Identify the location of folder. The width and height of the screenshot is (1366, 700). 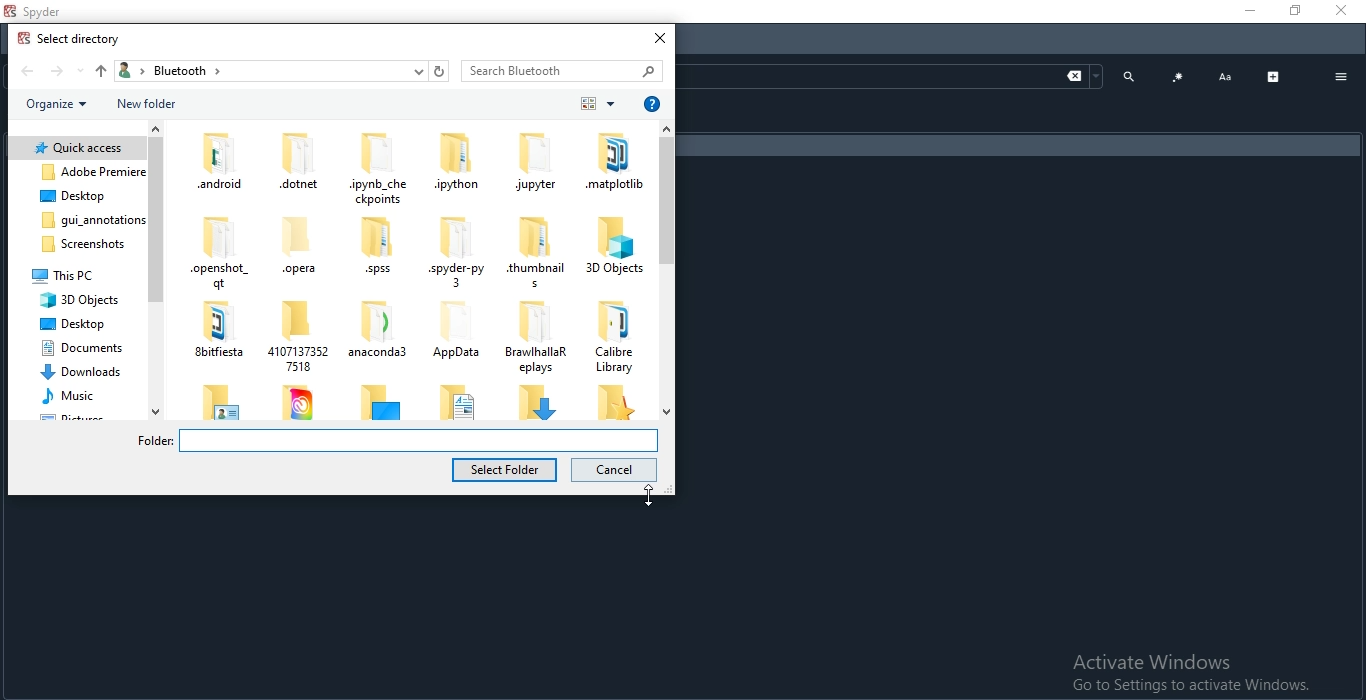
(299, 401).